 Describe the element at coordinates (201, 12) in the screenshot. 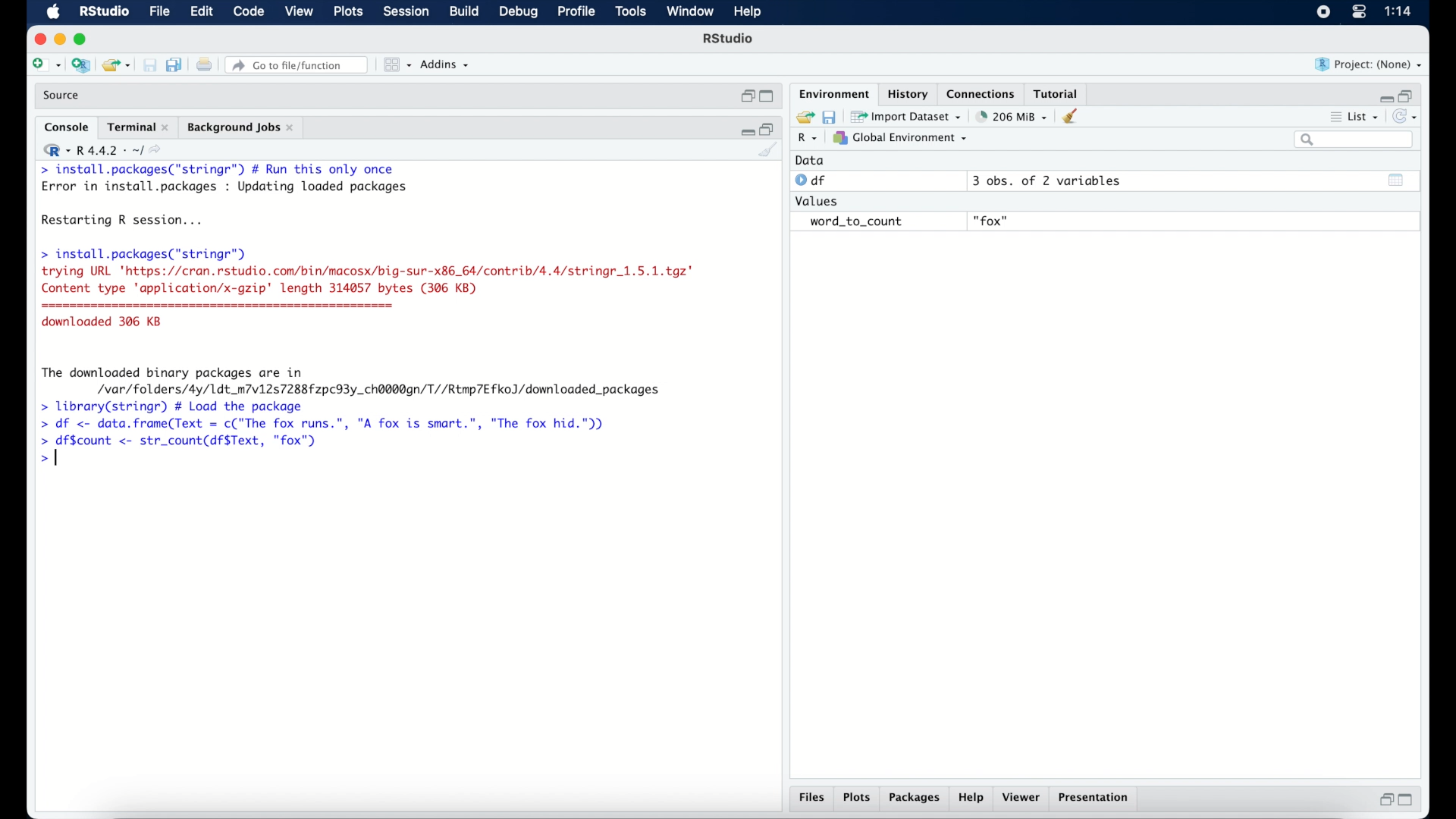

I see `edit` at that location.